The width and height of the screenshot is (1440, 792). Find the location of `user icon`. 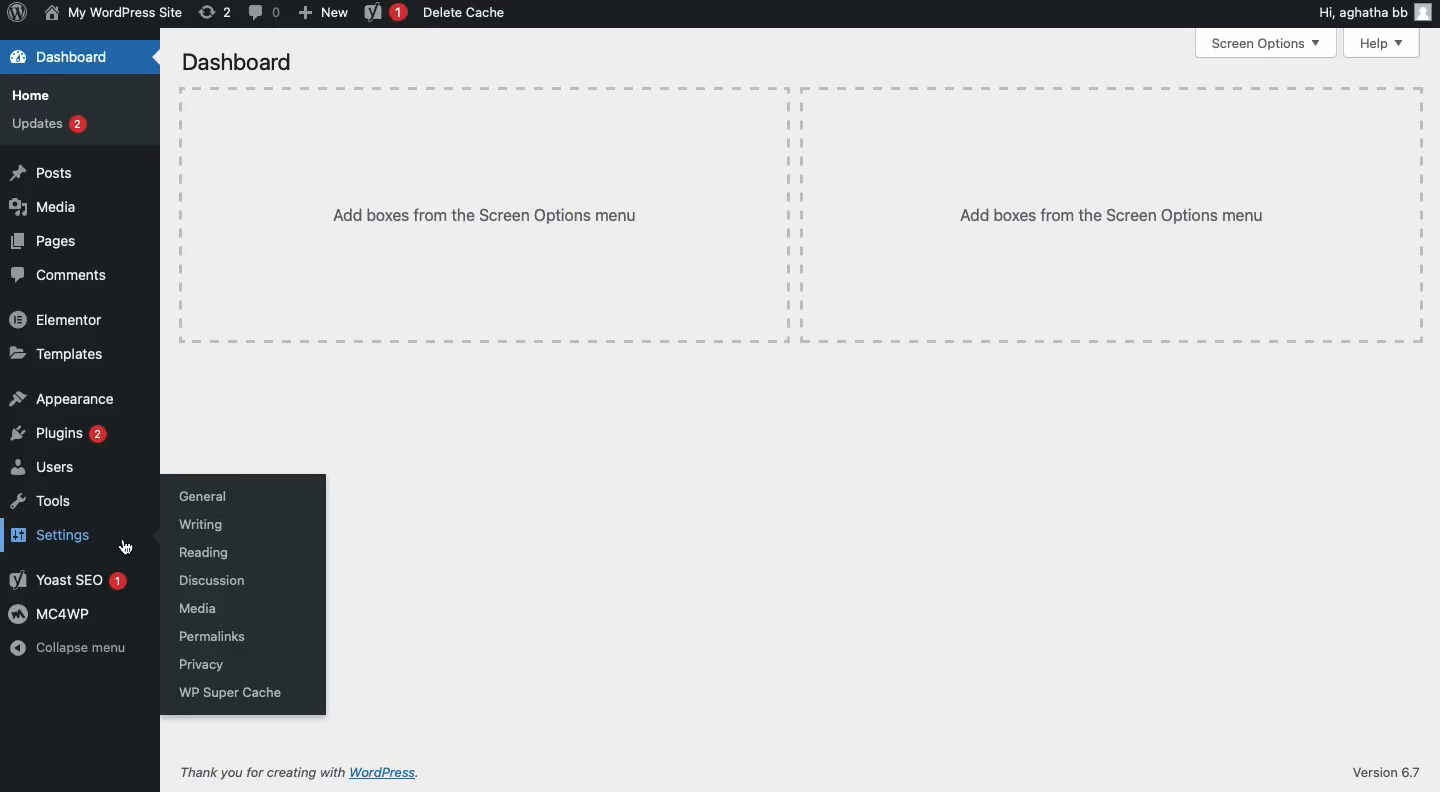

user icon is located at coordinates (1426, 11).